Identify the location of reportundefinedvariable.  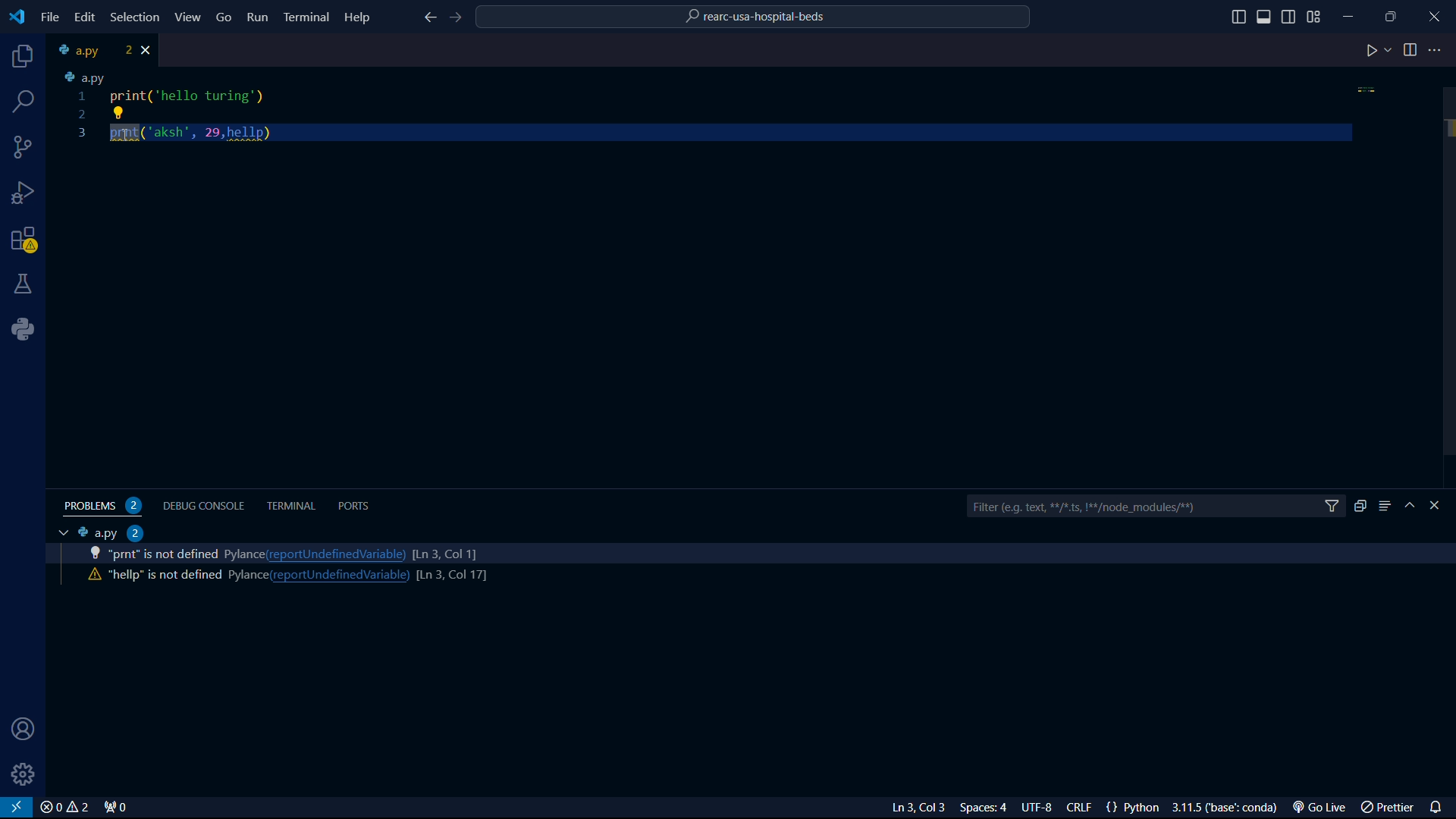
(336, 554).